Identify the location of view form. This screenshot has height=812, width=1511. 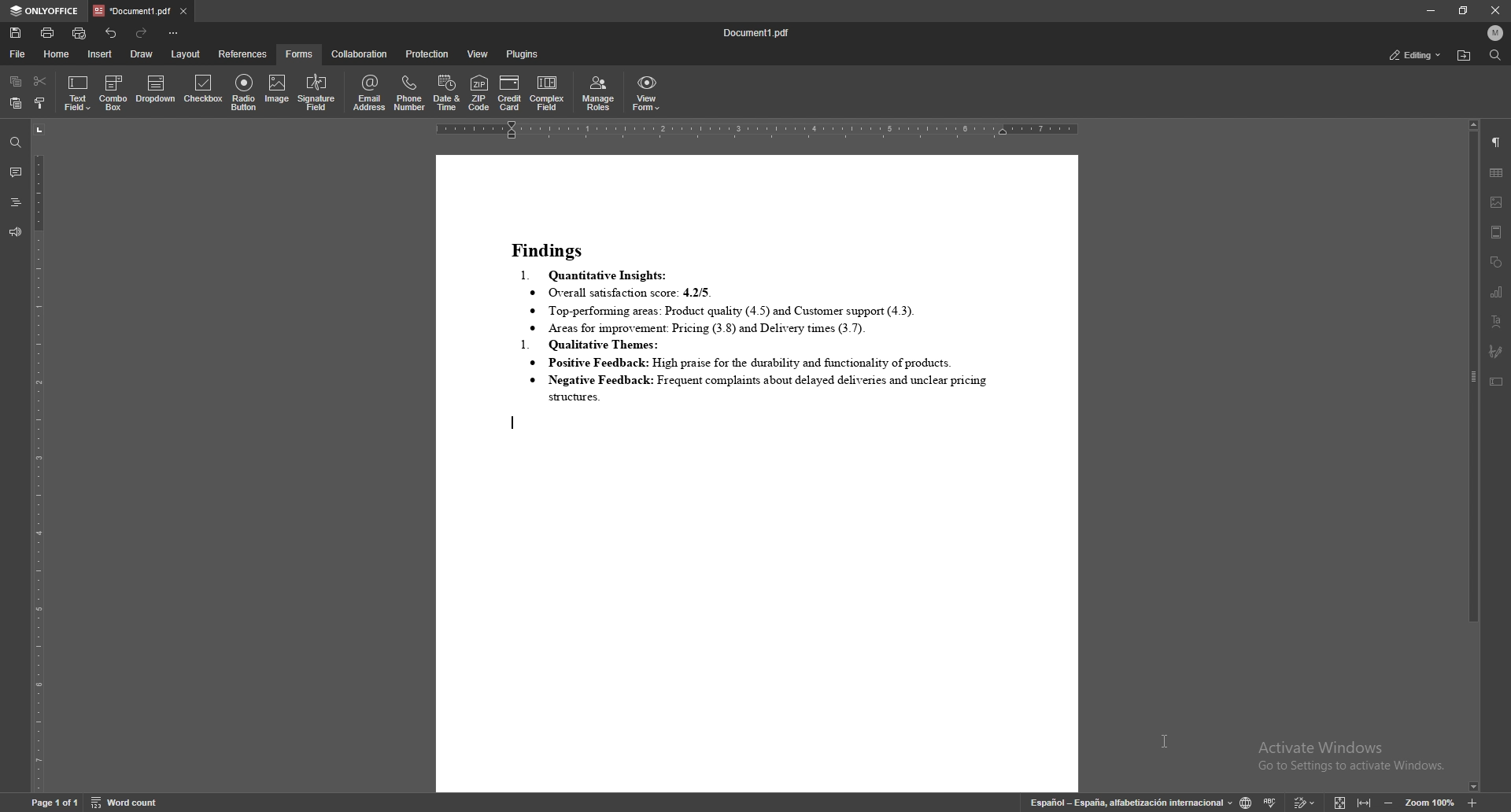
(647, 94).